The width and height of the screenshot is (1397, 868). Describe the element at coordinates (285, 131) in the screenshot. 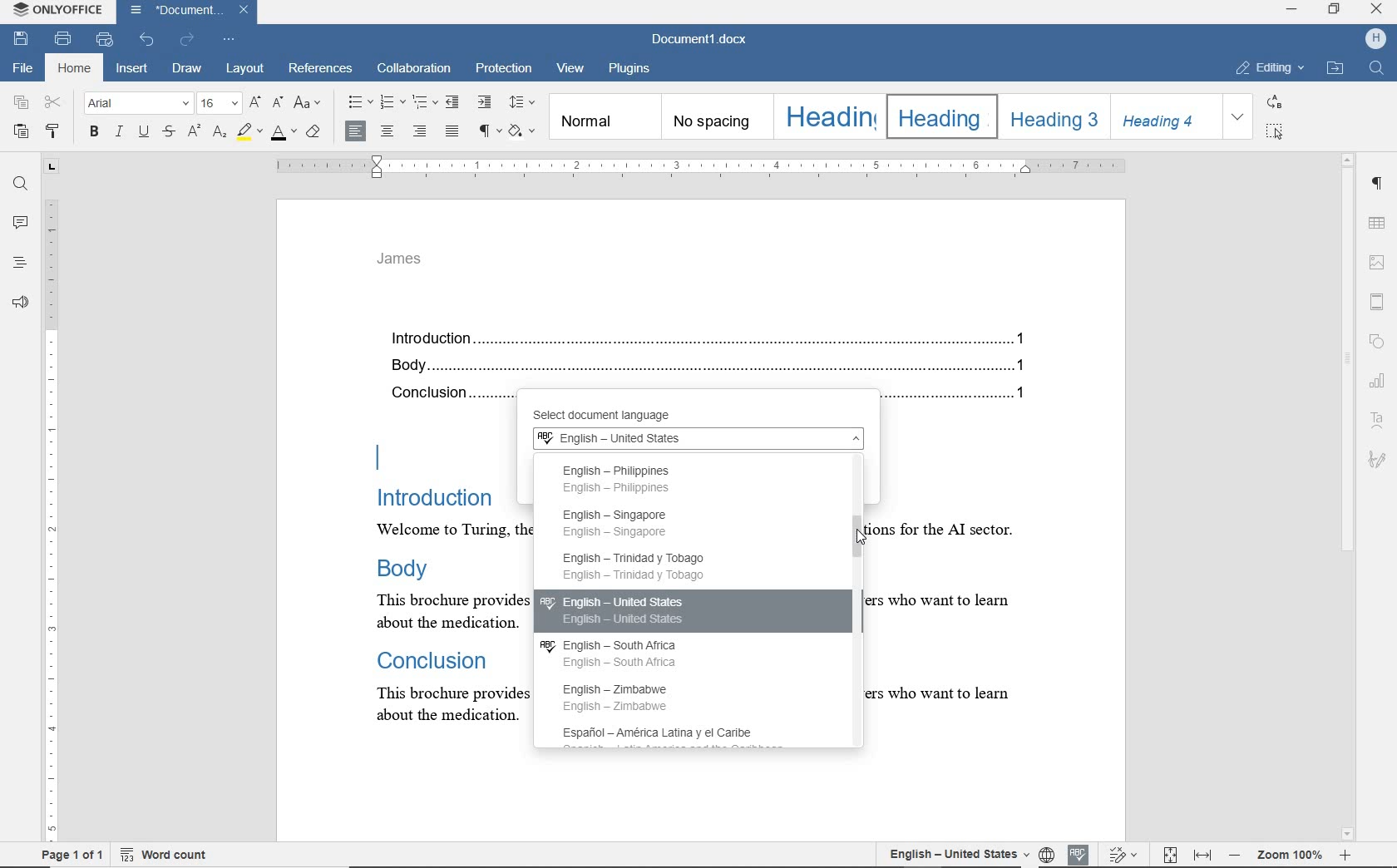

I see `font color` at that location.